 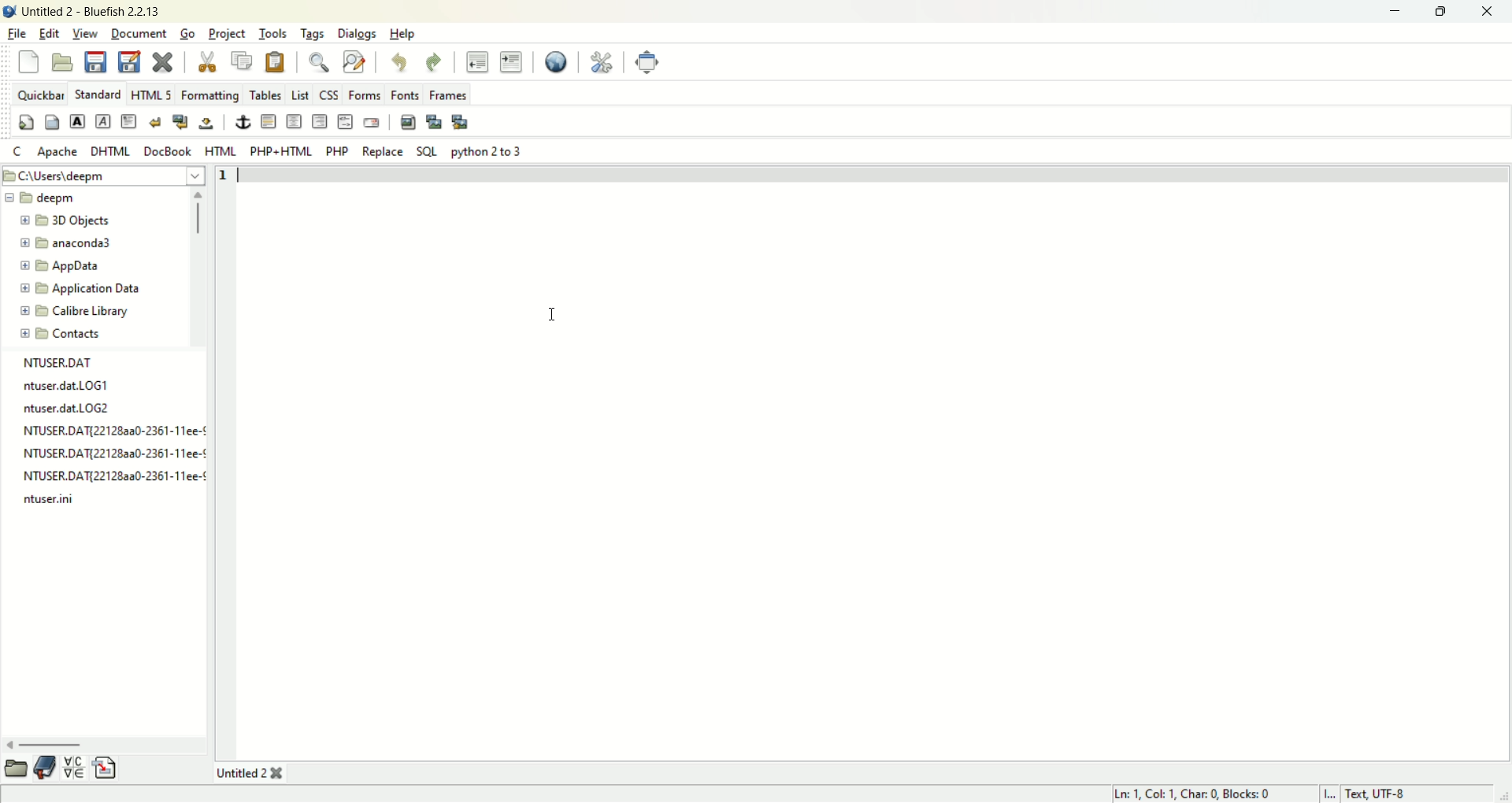 I want to click on File Explorer Panel, so click(x=109, y=431).